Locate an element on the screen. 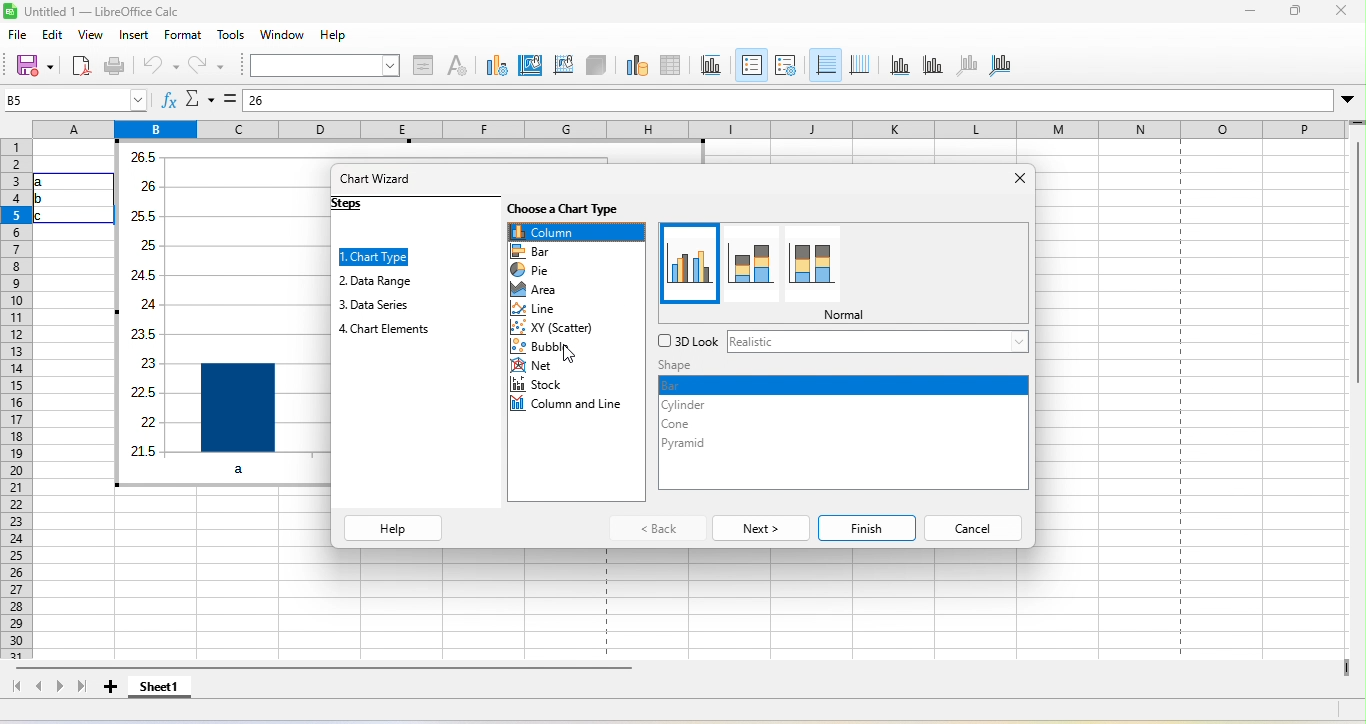  undo is located at coordinates (161, 66).